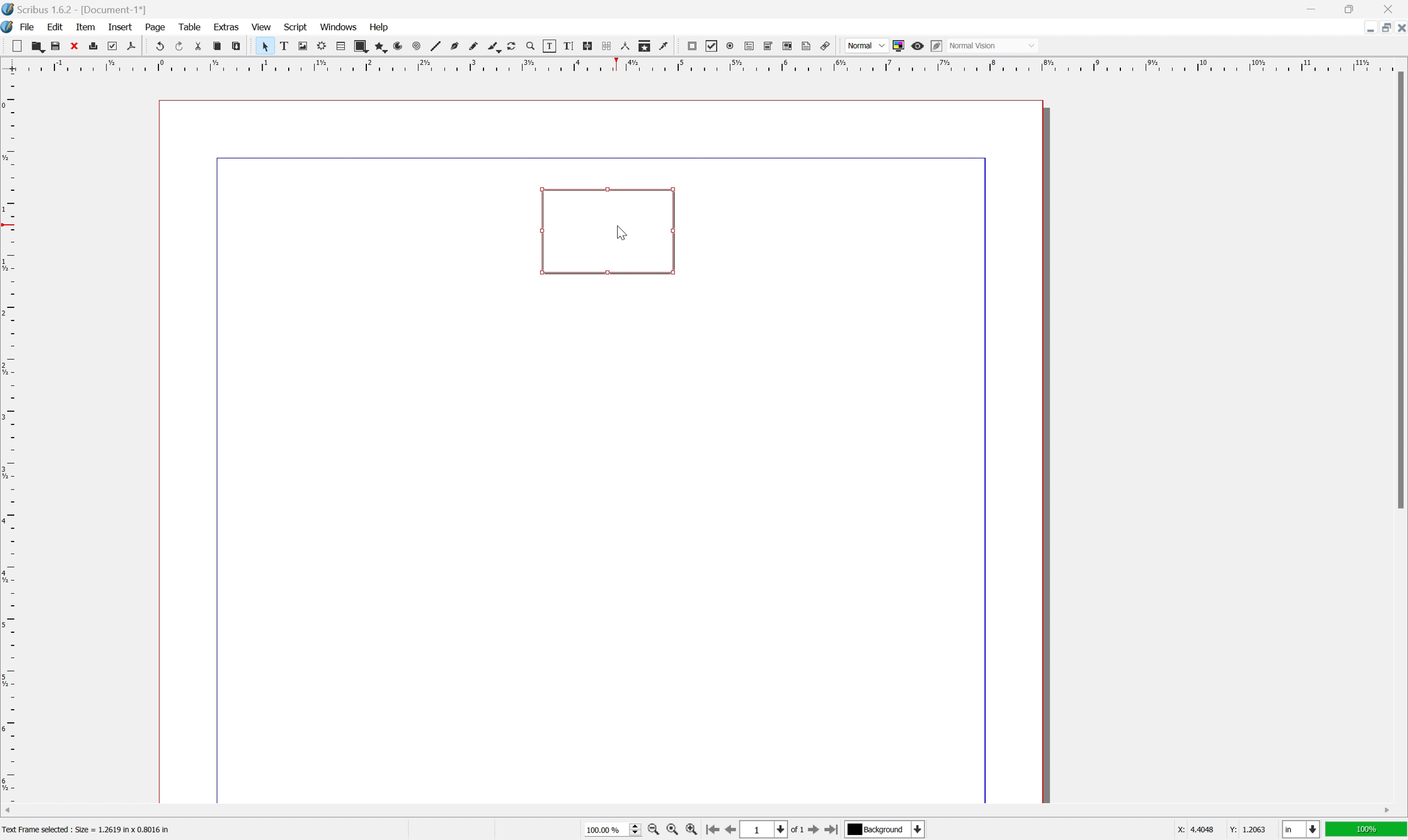 This screenshot has width=1408, height=840. Describe the element at coordinates (473, 46) in the screenshot. I see `freehand line` at that location.